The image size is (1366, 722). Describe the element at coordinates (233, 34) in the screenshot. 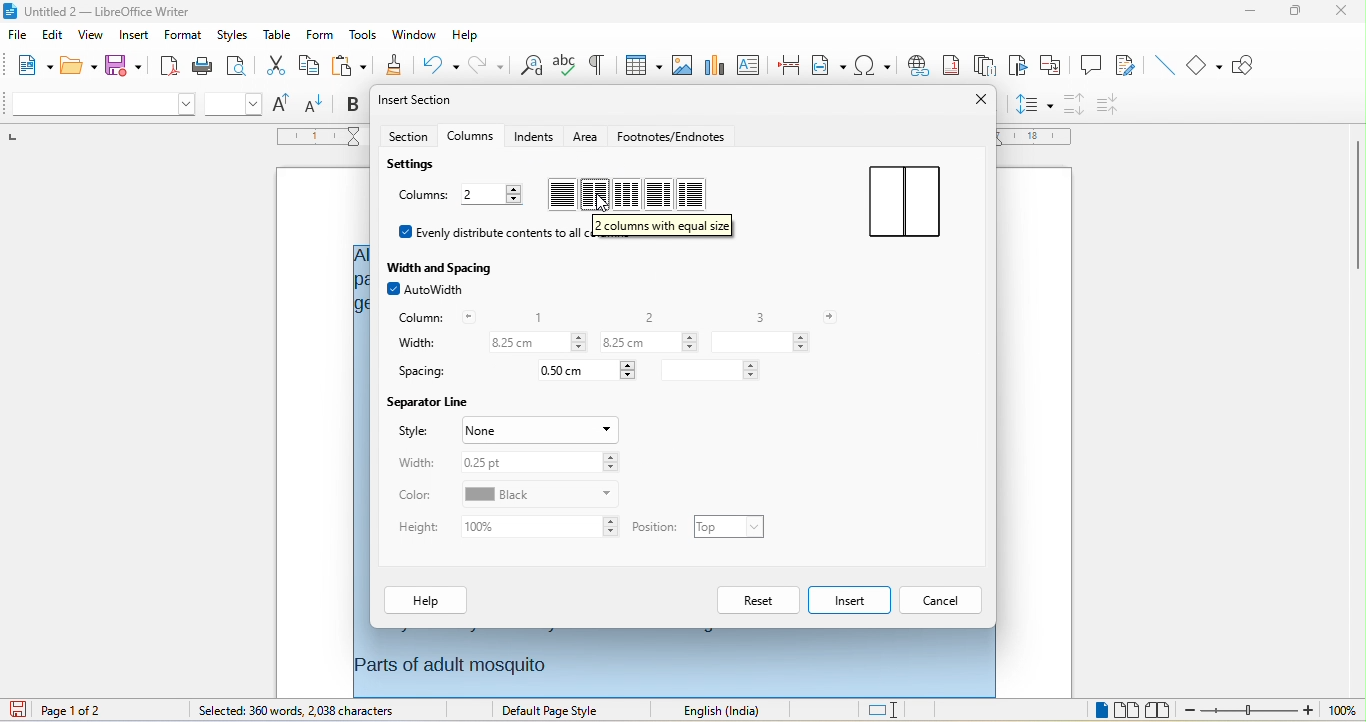

I see `styles` at that location.